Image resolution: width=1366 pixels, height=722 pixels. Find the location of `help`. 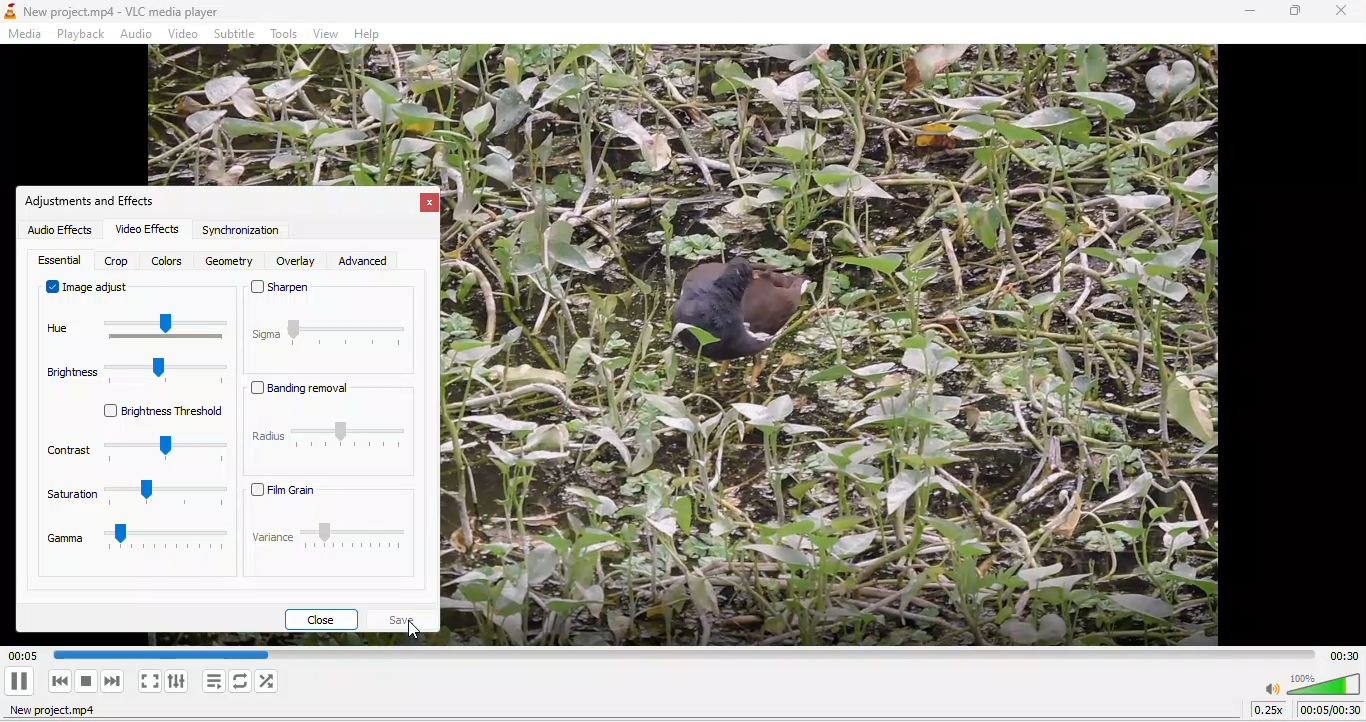

help is located at coordinates (373, 35).